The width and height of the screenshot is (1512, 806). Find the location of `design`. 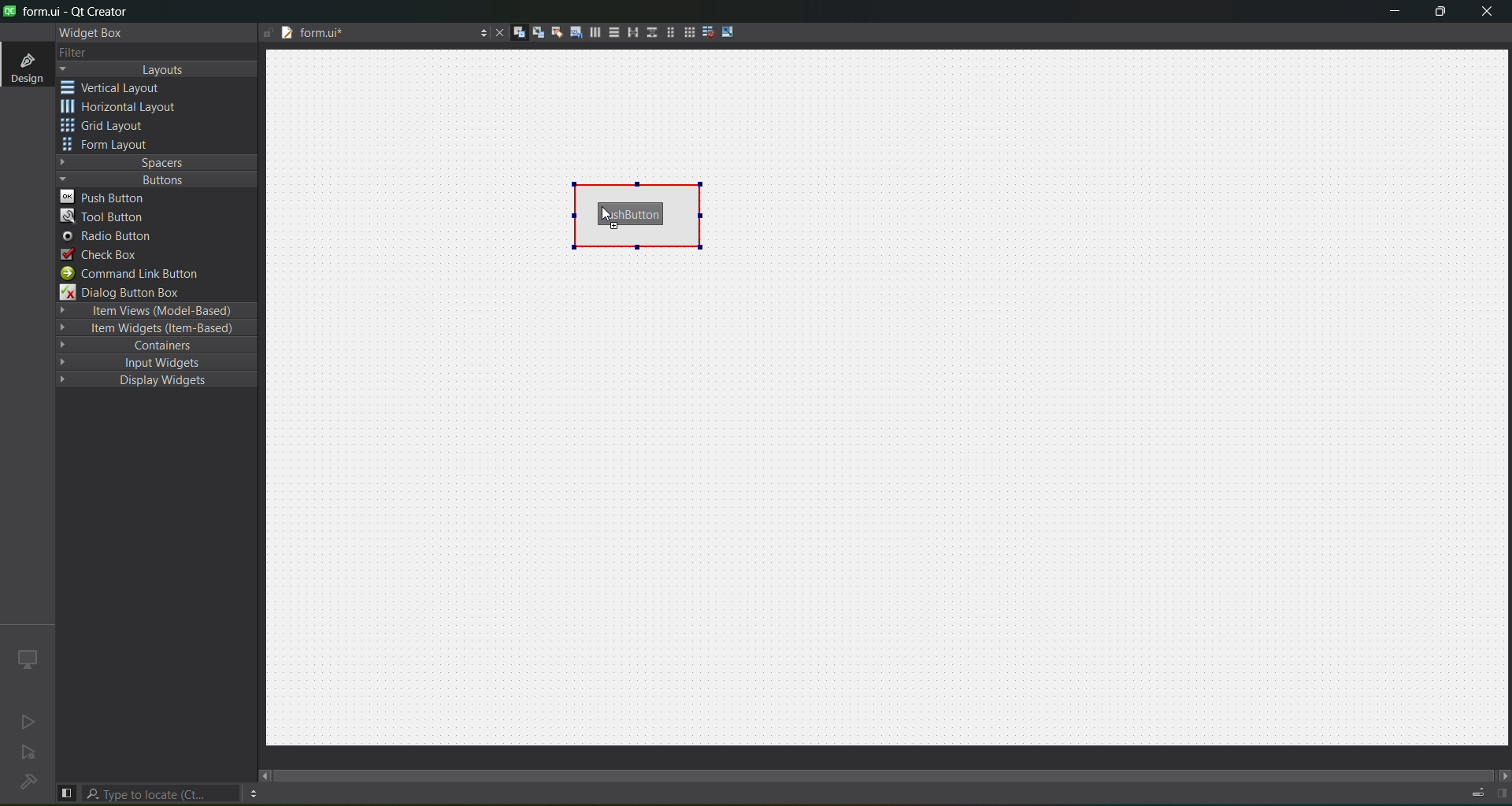

design is located at coordinates (25, 66).